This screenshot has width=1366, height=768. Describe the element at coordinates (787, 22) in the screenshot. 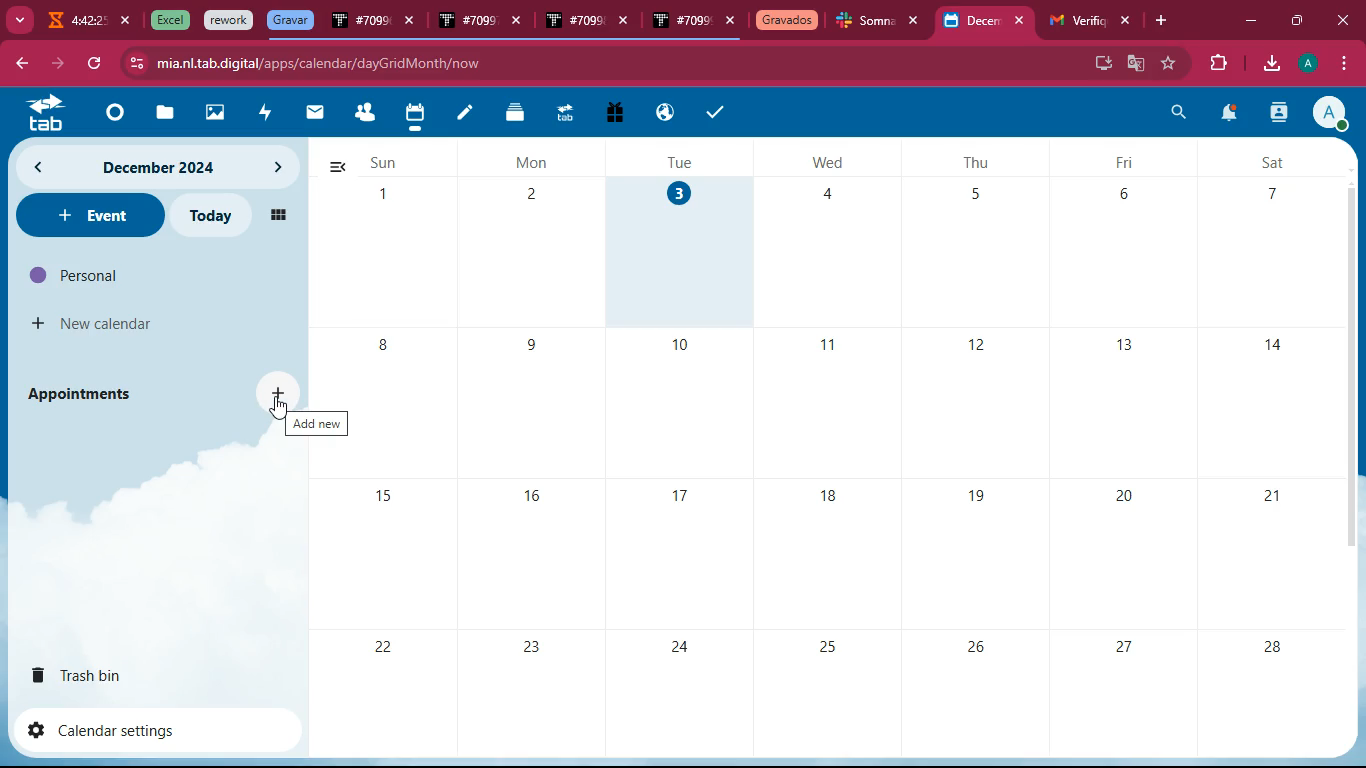

I see `tab` at that location.